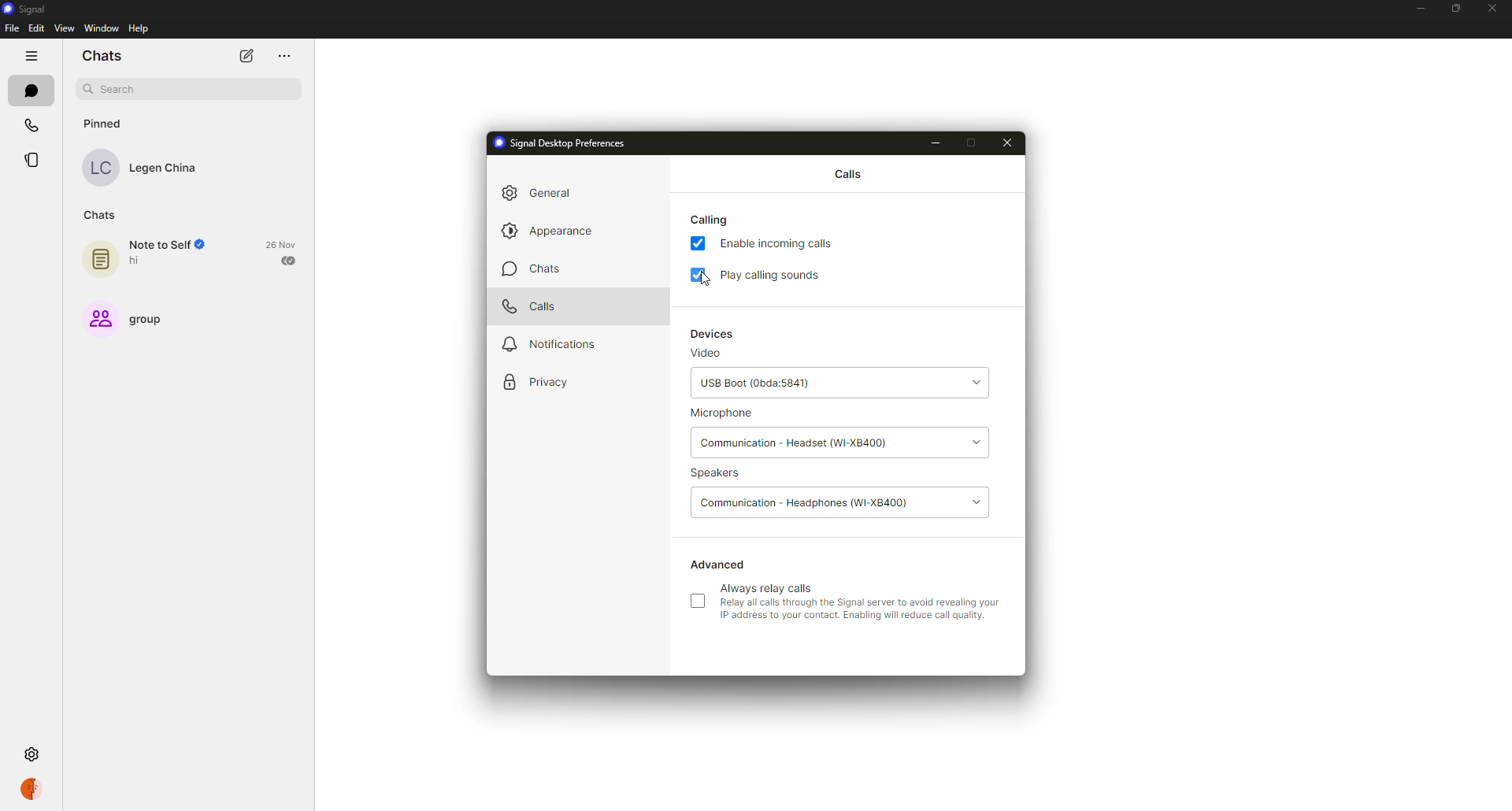 The width and height of the screenshot is (1512, 811). Describe the element at coordinates (39, 28) in the screenshot. I see `edit` at that location.